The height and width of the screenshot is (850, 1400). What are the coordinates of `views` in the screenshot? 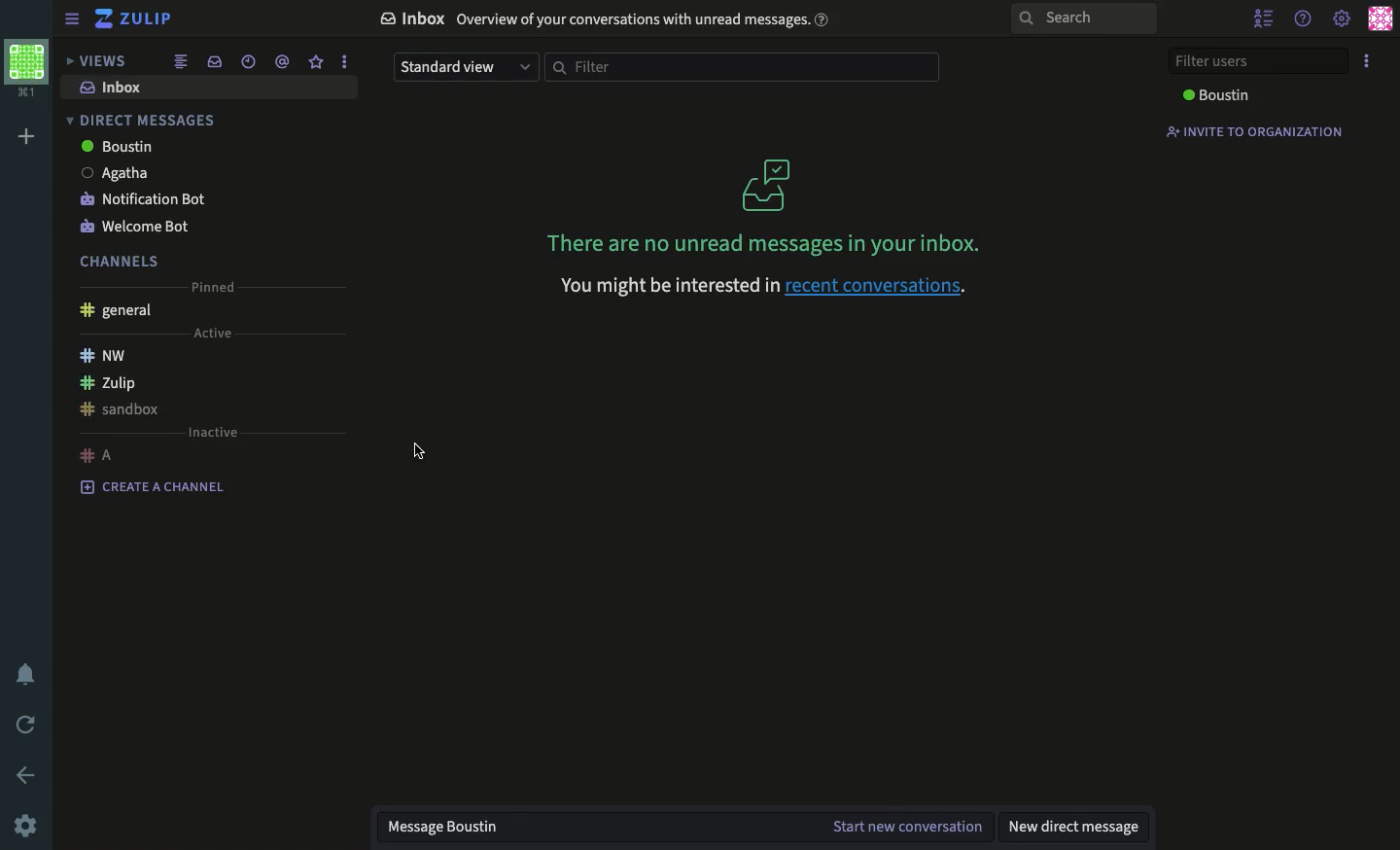 It's located at (100, 62).